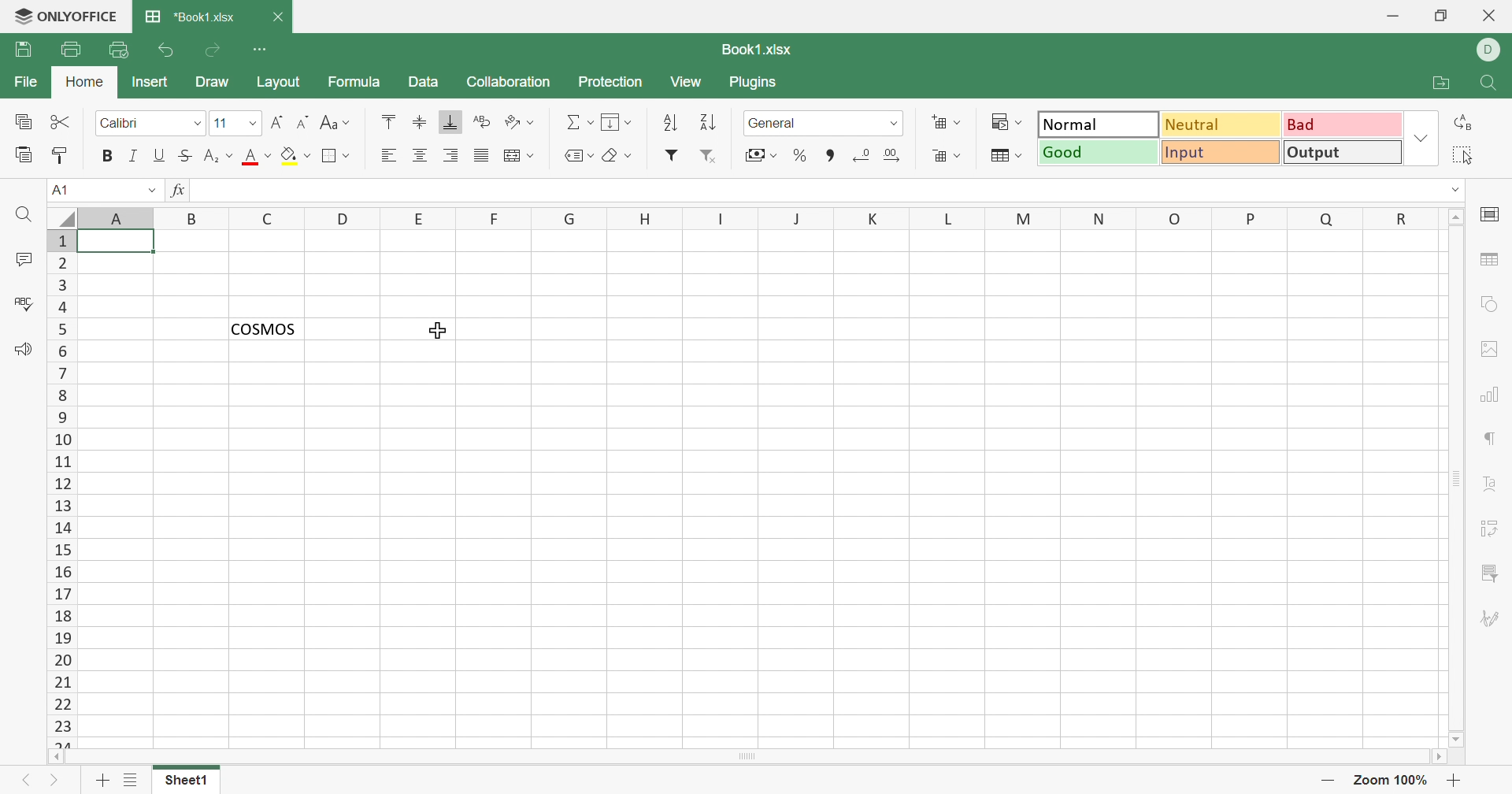 The height and width of the screenshot is (794, 1512). What do you see at coordinates (187, 157) in the screenshot?
I see `Strikethrough` at bounding box center [187, 157].